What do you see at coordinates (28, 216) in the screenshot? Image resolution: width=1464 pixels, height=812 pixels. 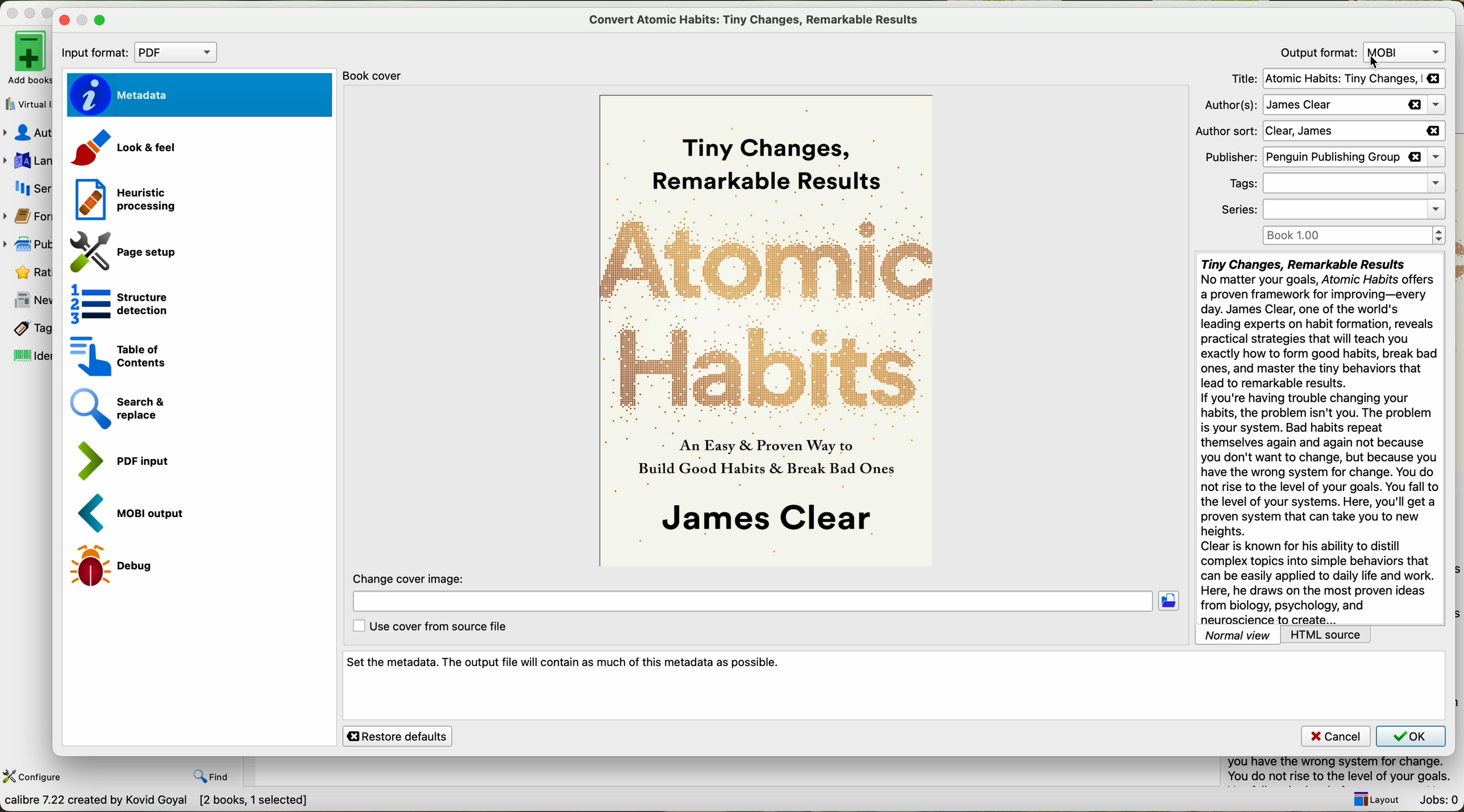 I see `formats` at bounding box center [28, 216].